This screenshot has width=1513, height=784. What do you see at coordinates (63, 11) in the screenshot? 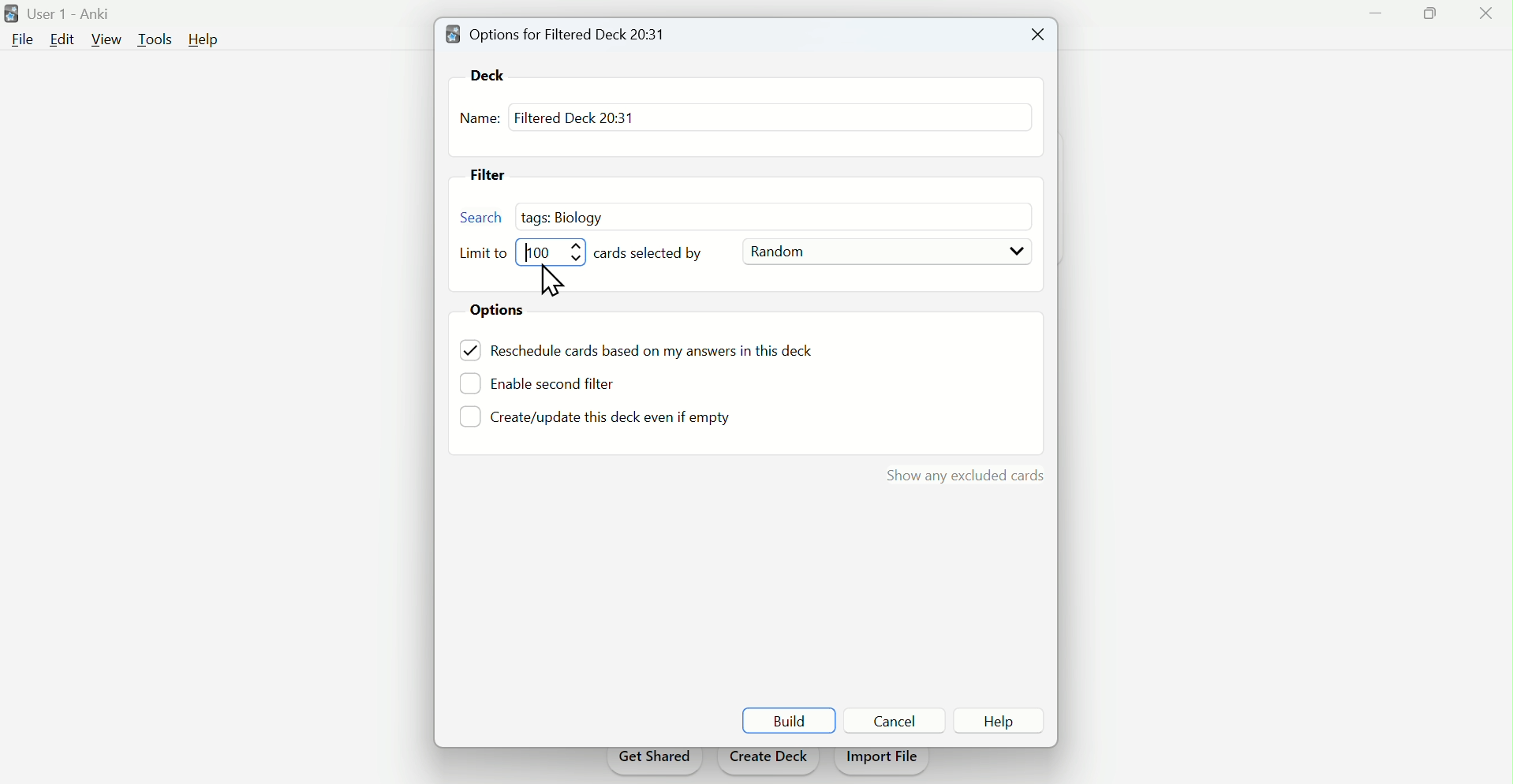
I see `User 1 - Anki` at bounding box center [63, 11].